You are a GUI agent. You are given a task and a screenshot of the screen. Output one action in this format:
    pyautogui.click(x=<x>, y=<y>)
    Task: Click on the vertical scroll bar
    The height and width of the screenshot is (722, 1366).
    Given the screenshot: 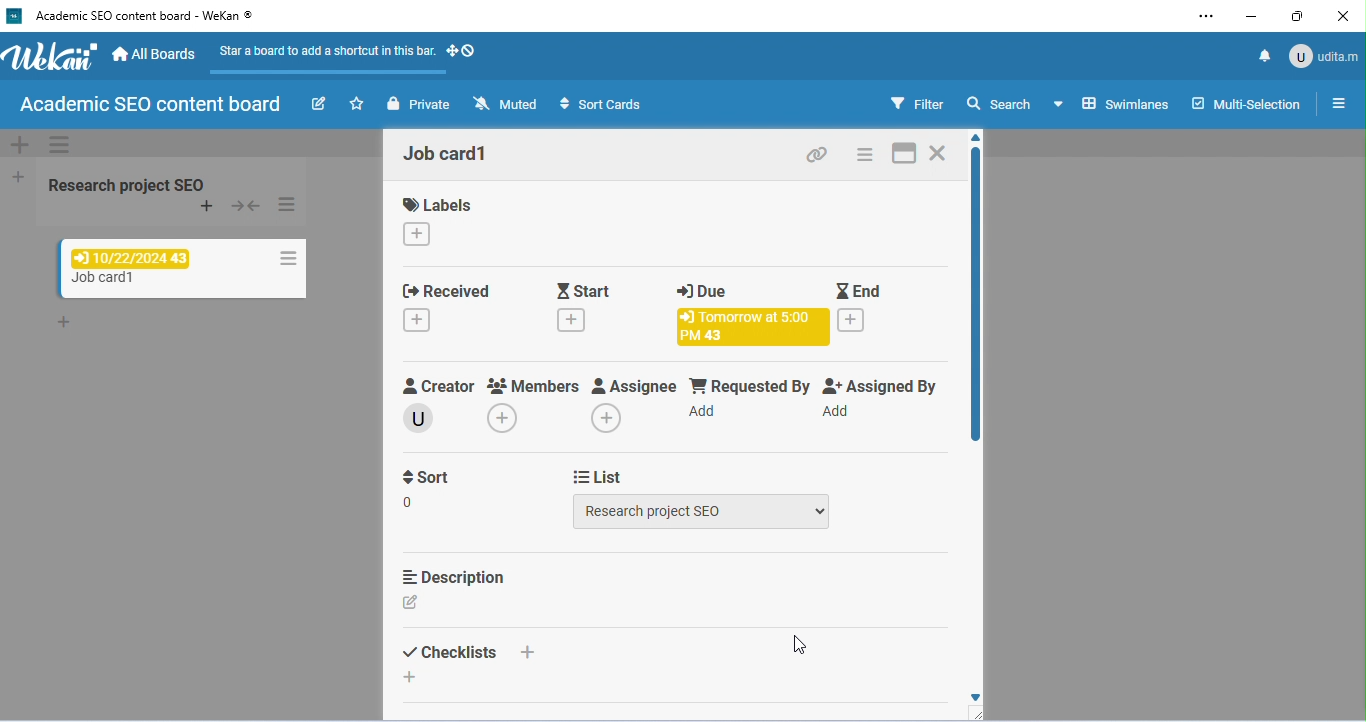 What is the action you would take?
    pyautogui.click(x=973, y=297)
    